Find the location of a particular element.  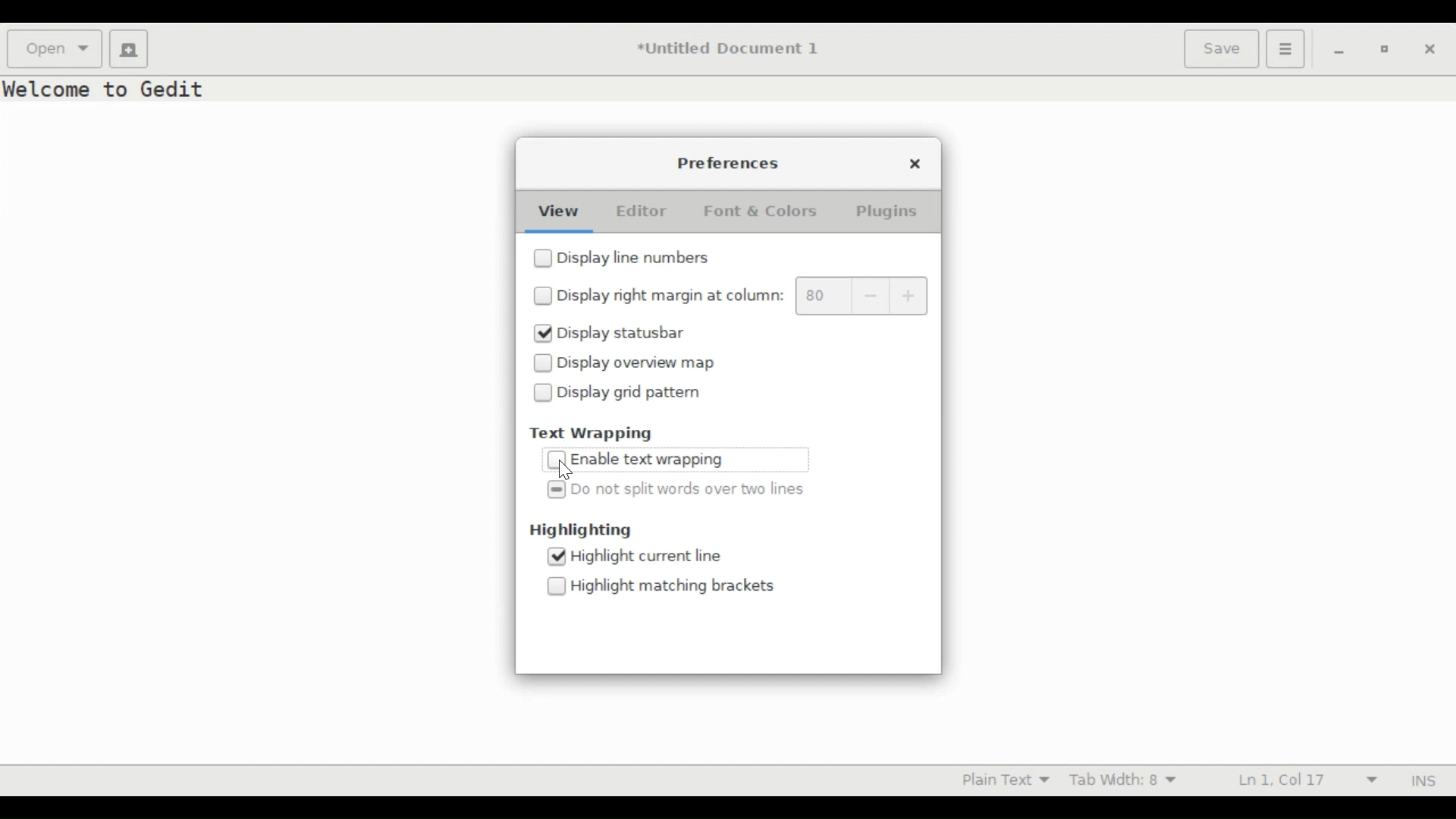

Restore is located at coordinates (1382, 49).